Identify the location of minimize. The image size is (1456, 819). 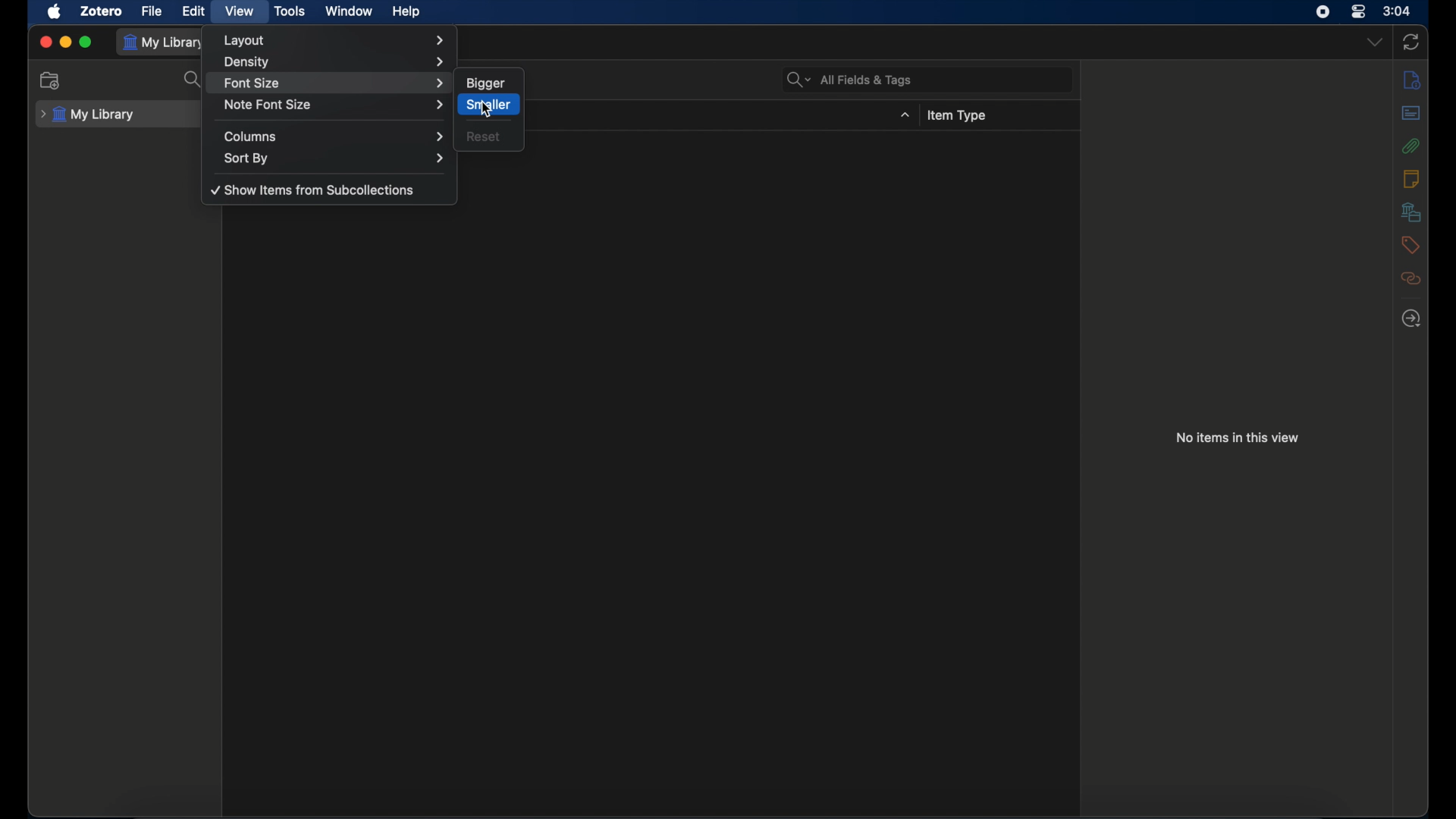
(67, 42).